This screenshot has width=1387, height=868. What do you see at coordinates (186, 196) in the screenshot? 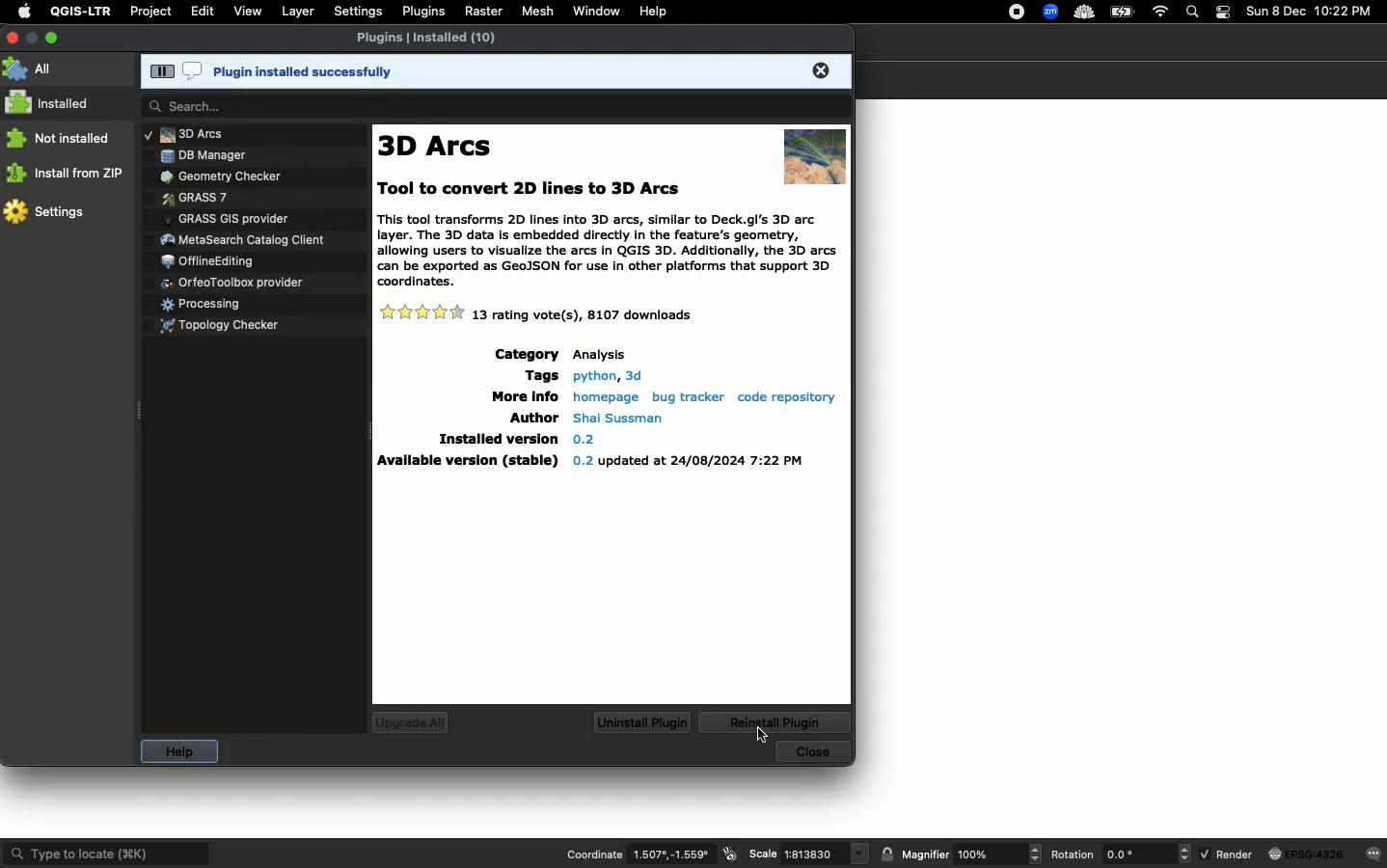
I see `Plugins` at bounding box center [186, 196].